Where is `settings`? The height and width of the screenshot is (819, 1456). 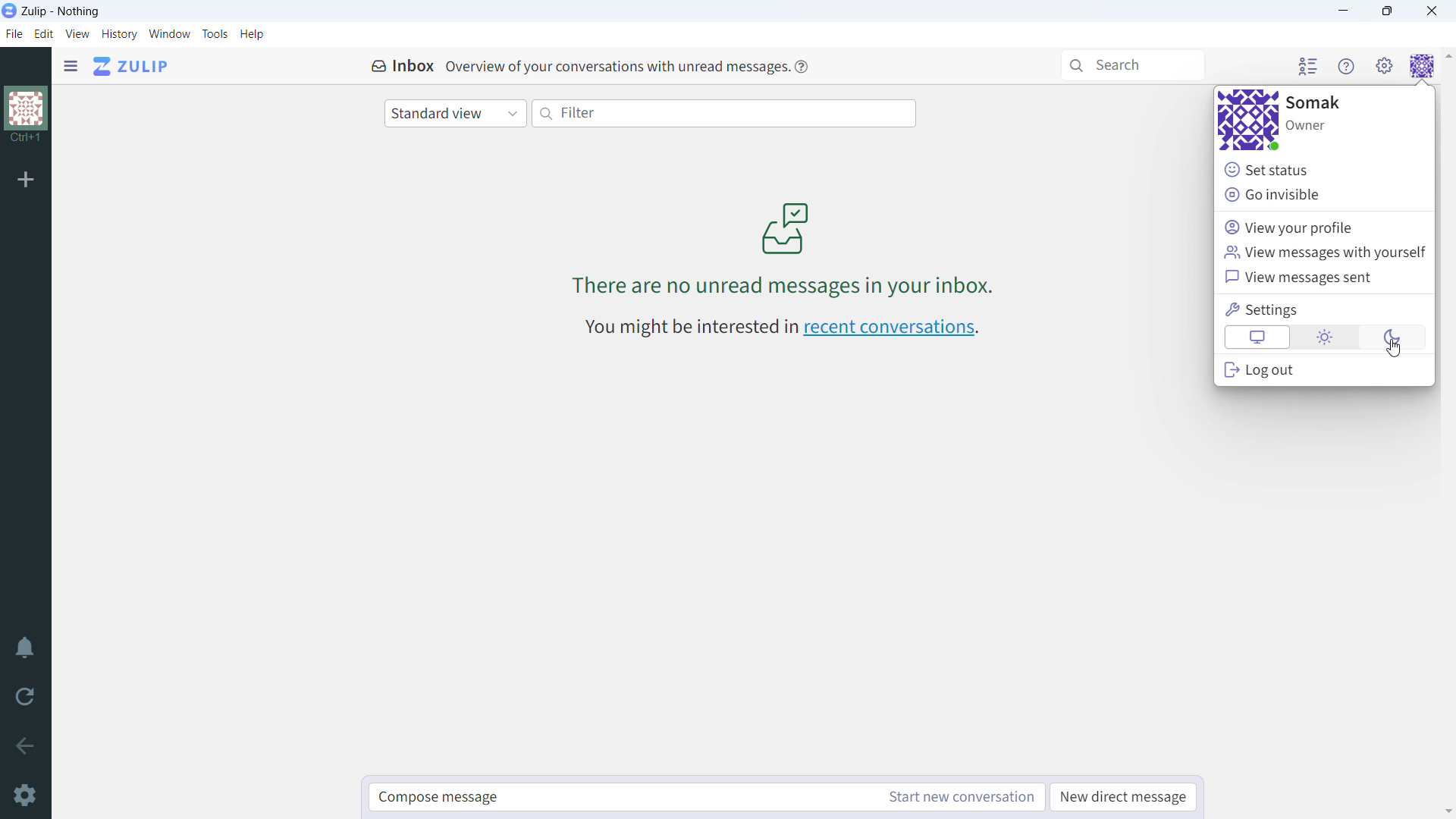
settings is located at coordinates (1326, 309).